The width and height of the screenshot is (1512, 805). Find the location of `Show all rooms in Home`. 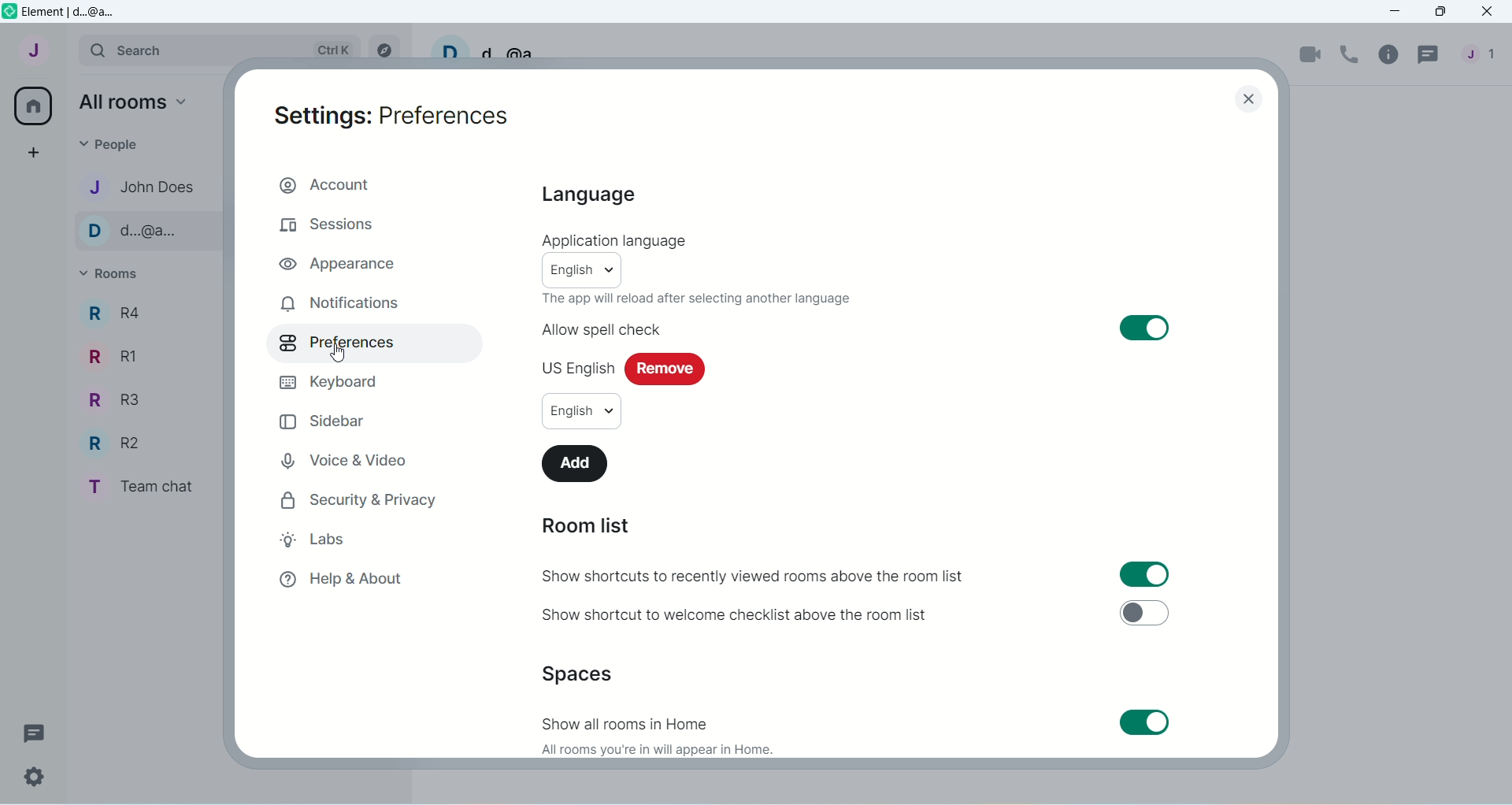

Show all rooms in Home is located at coordinates (629, 721).